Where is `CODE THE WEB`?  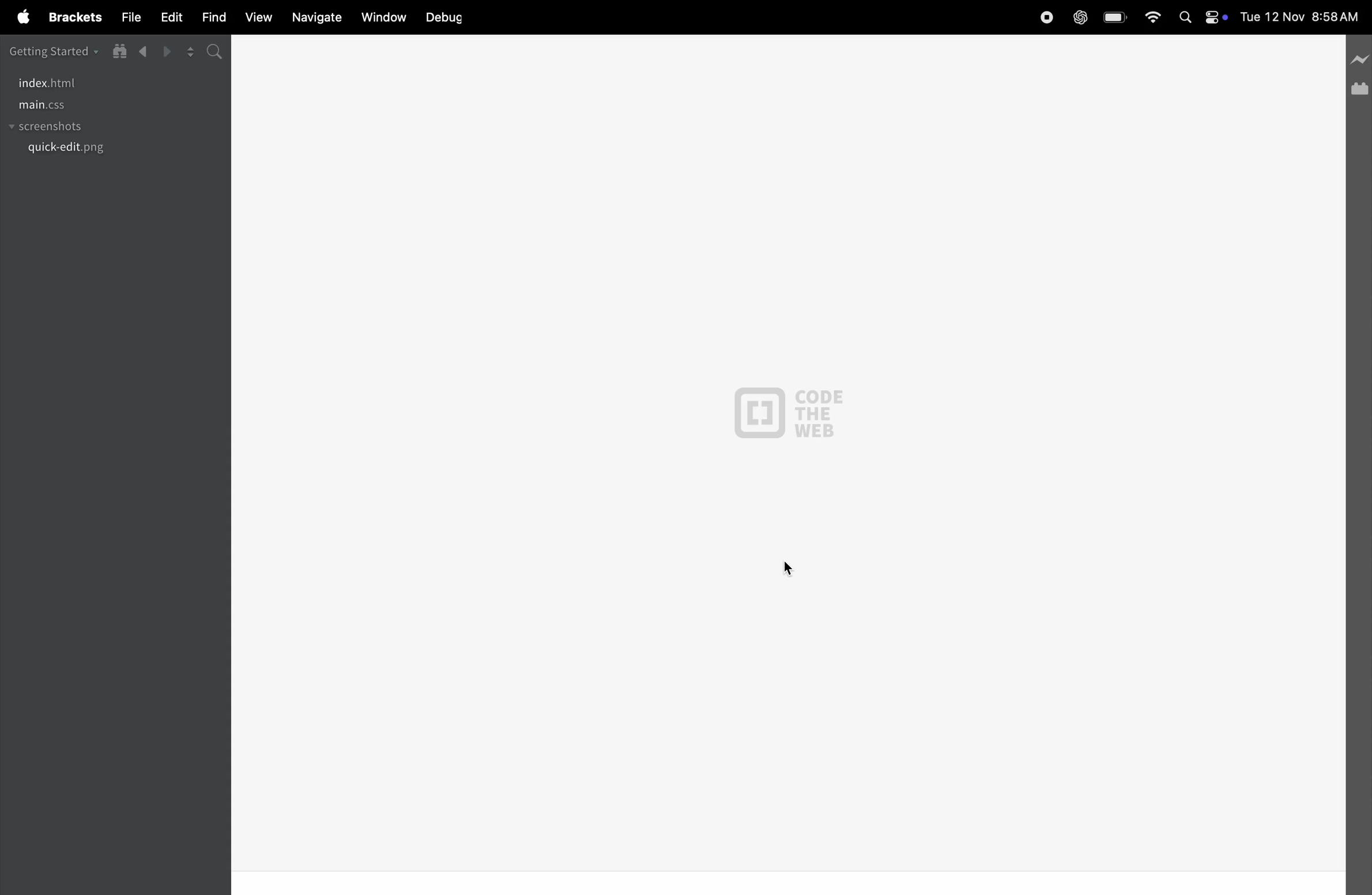
CODE THE WEB is located at coordinates (784, 412).